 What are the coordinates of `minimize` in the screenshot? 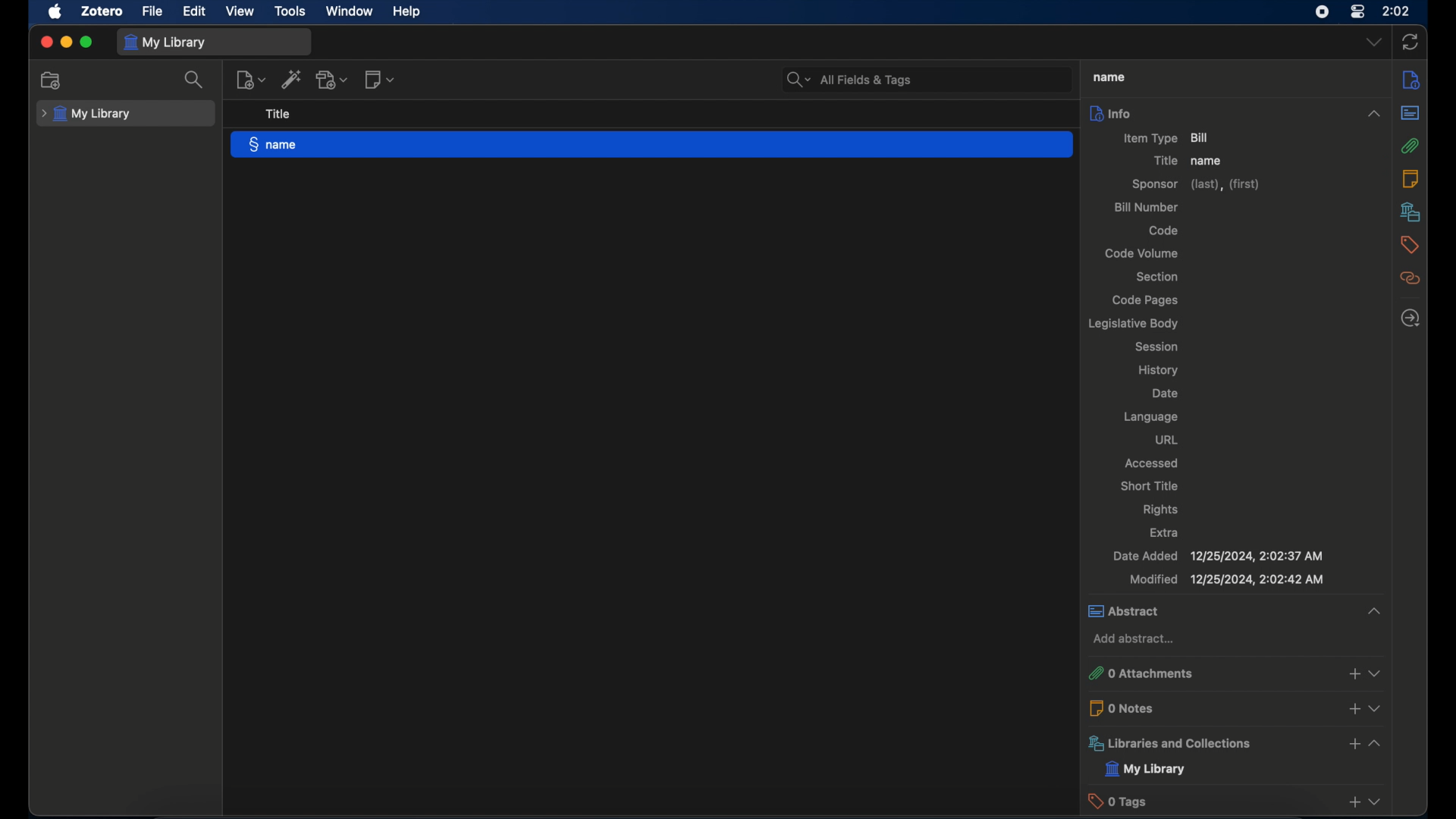 It's located at (68, 42).